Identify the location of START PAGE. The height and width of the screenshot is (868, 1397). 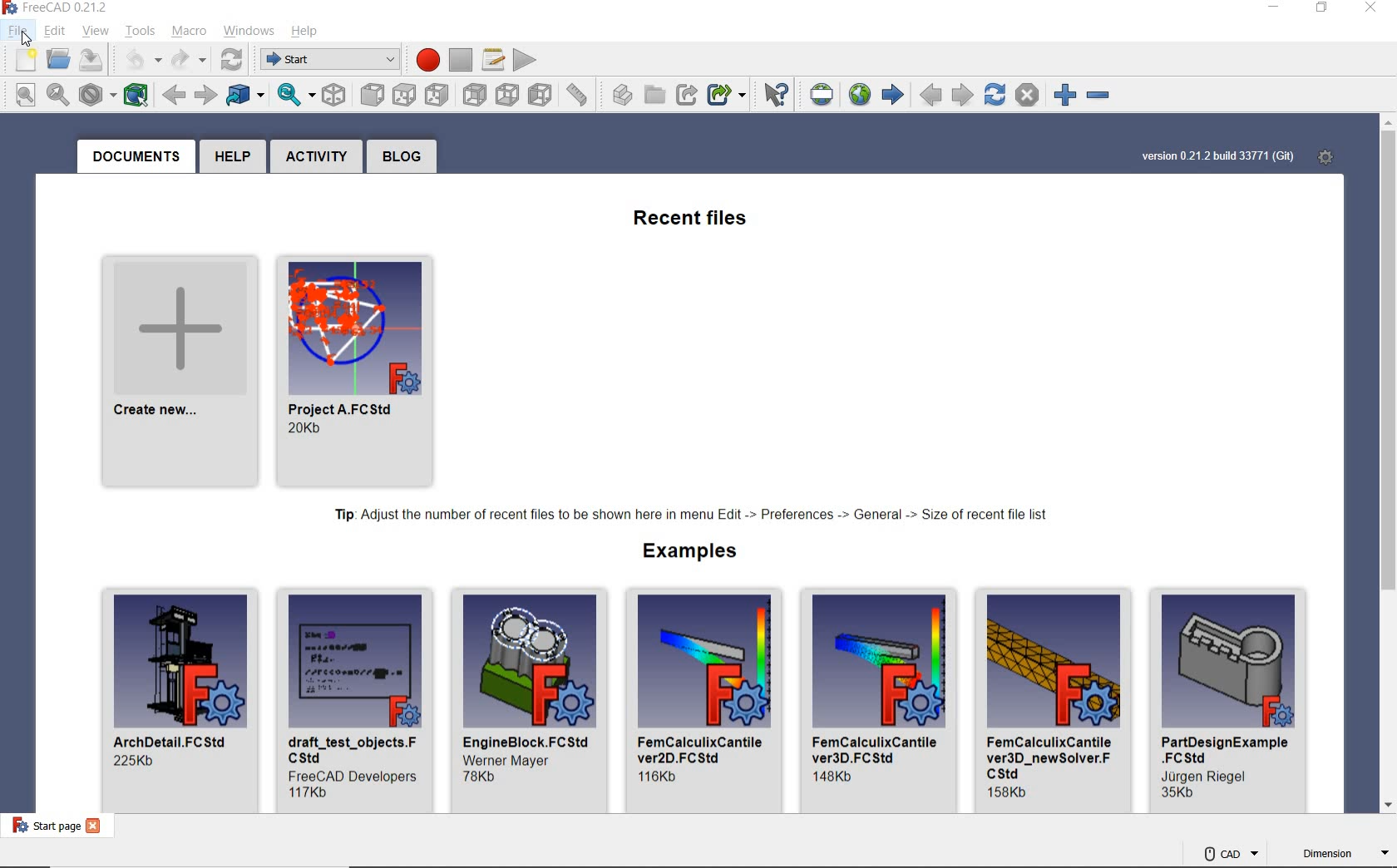
(892, 96).